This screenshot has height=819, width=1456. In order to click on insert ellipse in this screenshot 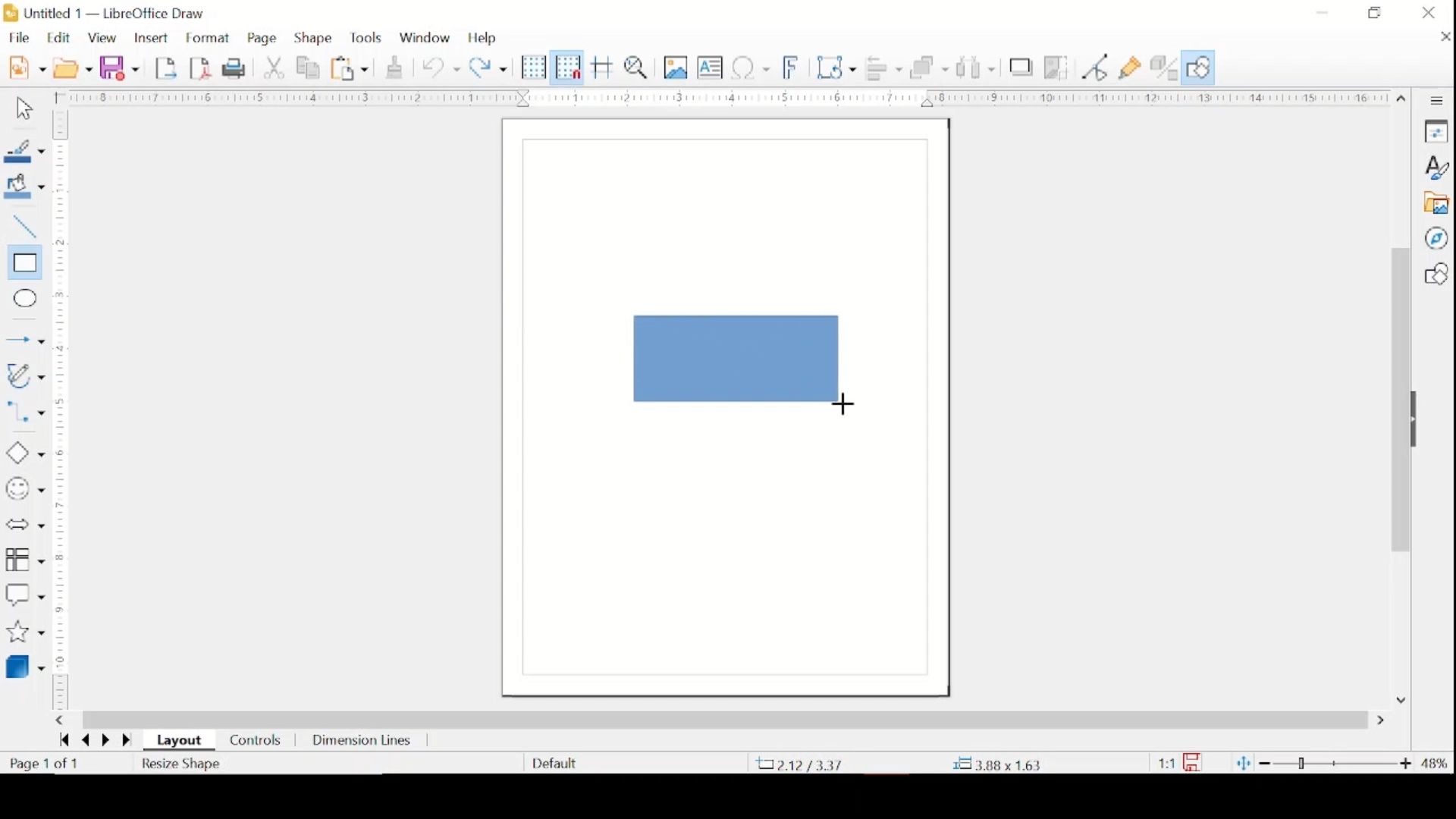, I will do `click(22, 299)`.